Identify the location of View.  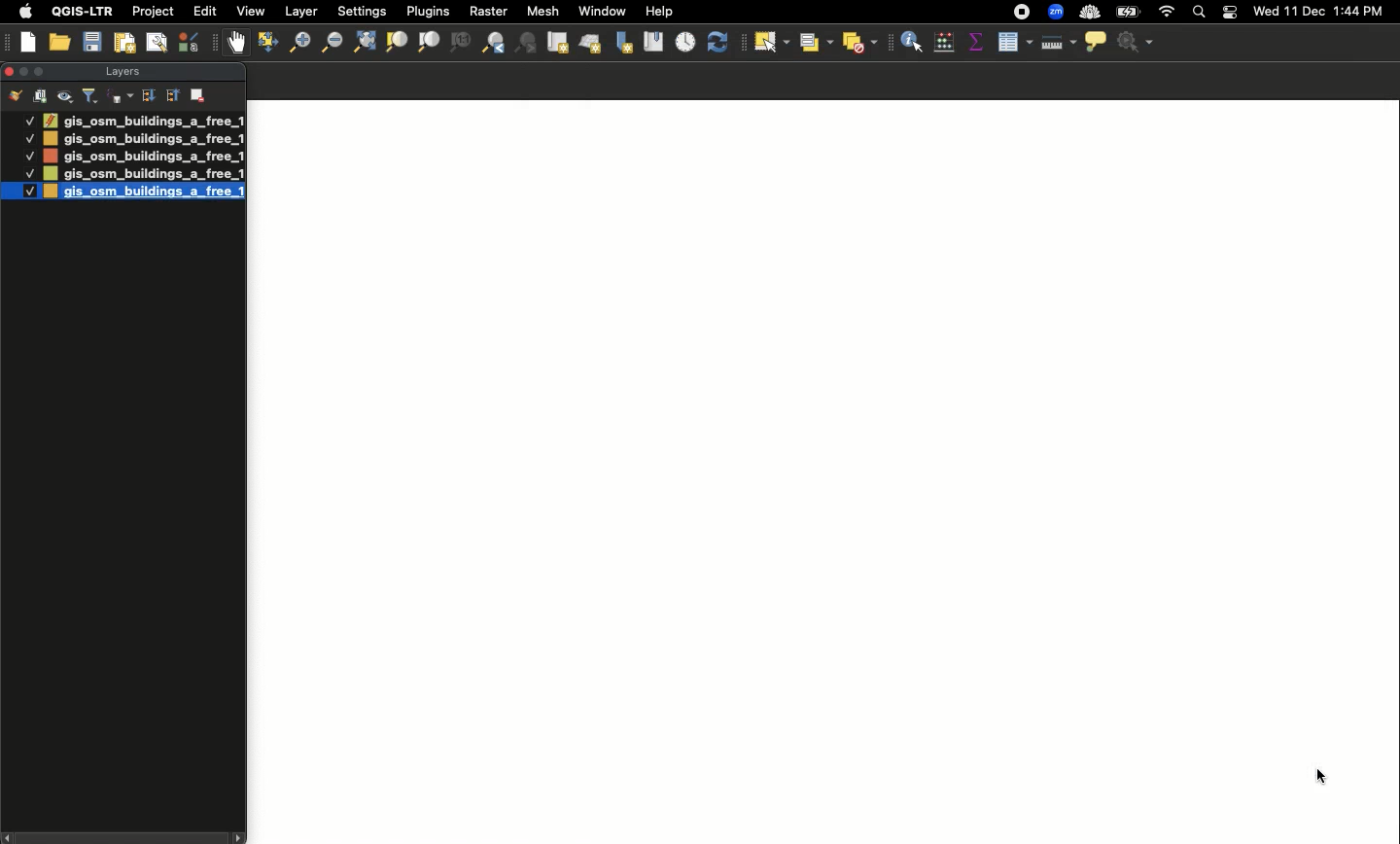
(249, 11).